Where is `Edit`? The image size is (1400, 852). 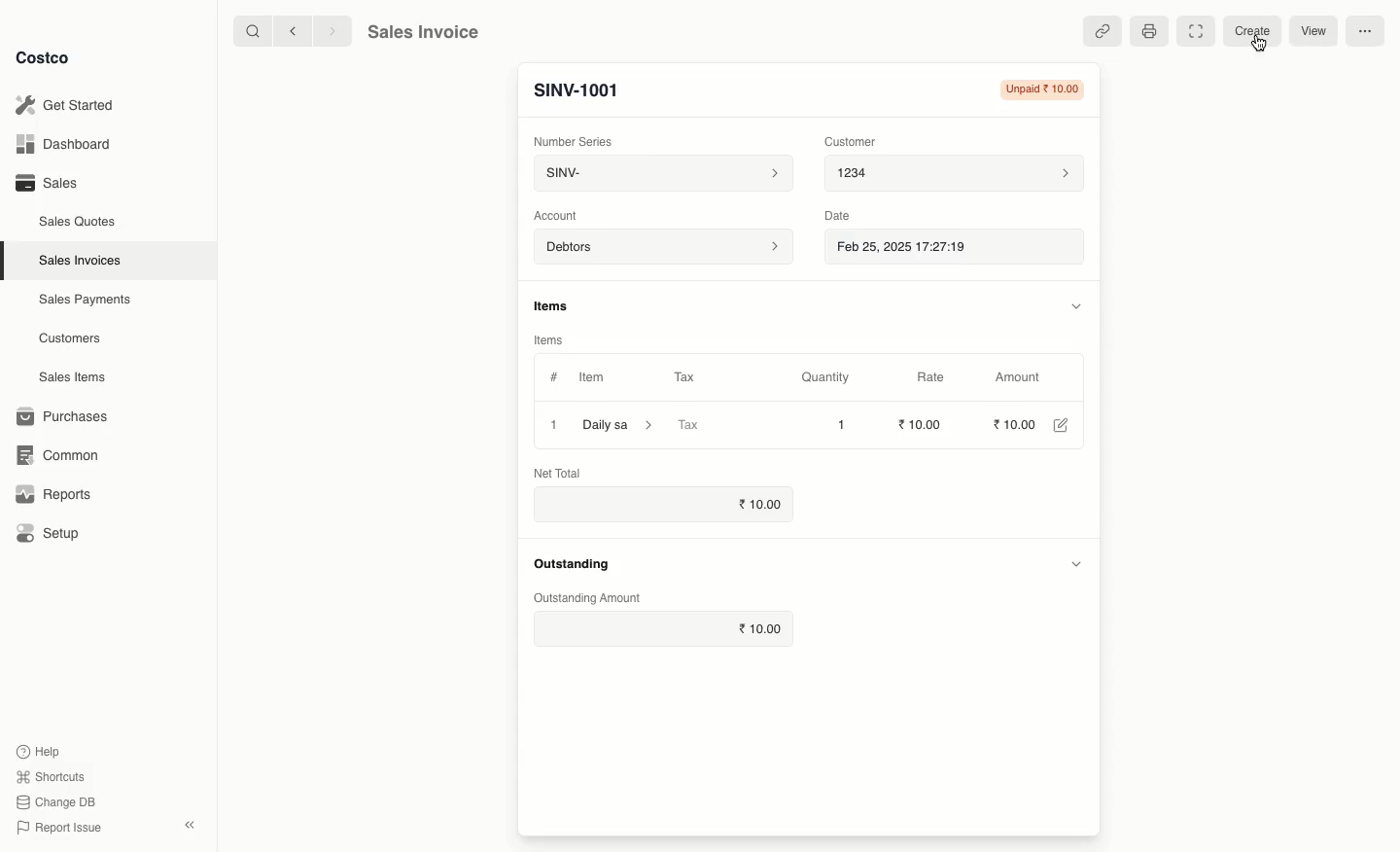
Edit is located at coordinates (1060, 425).